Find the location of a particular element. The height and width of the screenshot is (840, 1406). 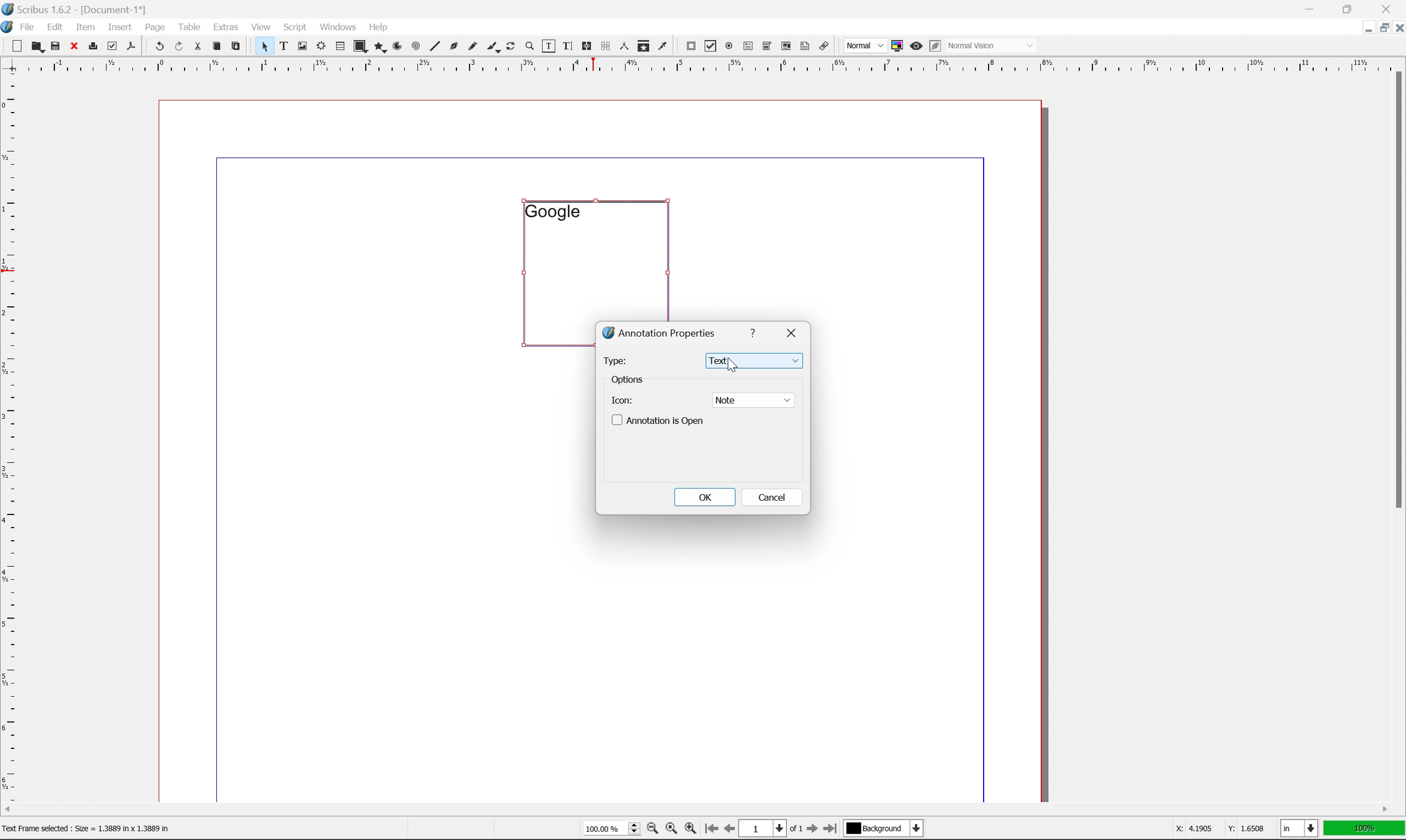

polygon is located at coordinates (381, 48).